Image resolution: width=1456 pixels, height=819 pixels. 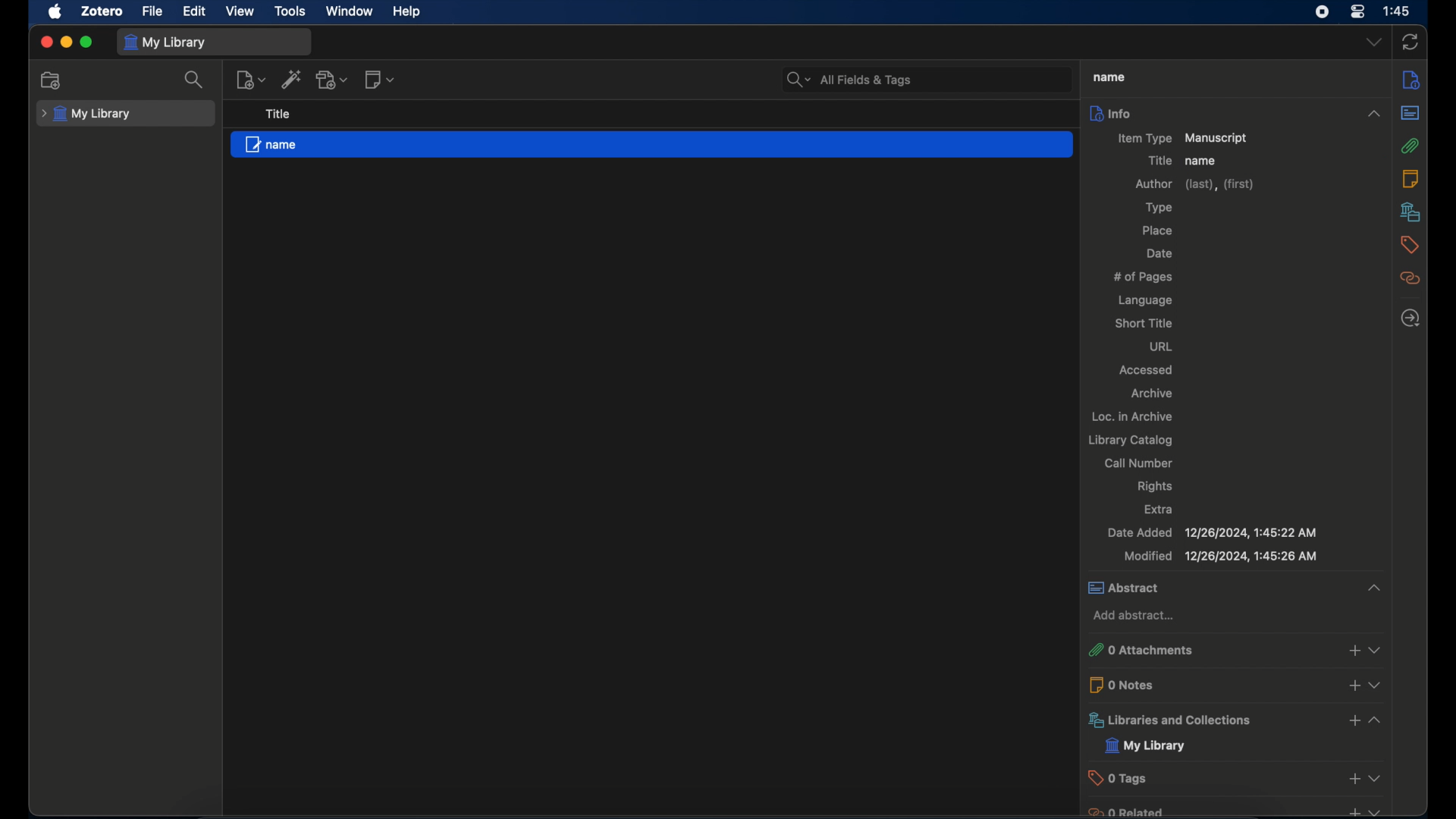 What do you see at coordinates (1374, 43) in the screenshot?
I see `dropdown` at bounding box center [1374, 43].